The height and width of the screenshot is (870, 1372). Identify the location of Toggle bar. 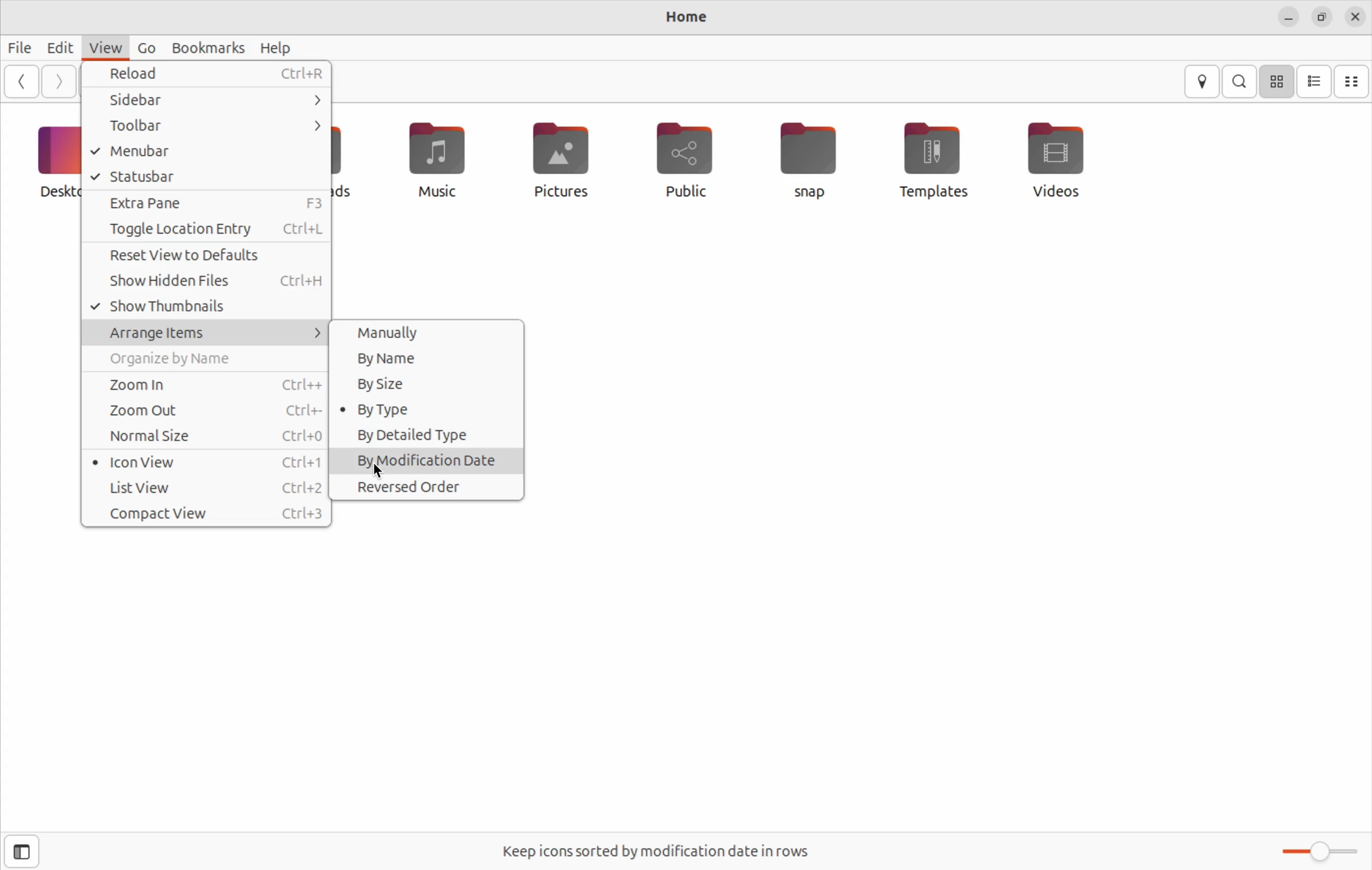
(1316, 849).